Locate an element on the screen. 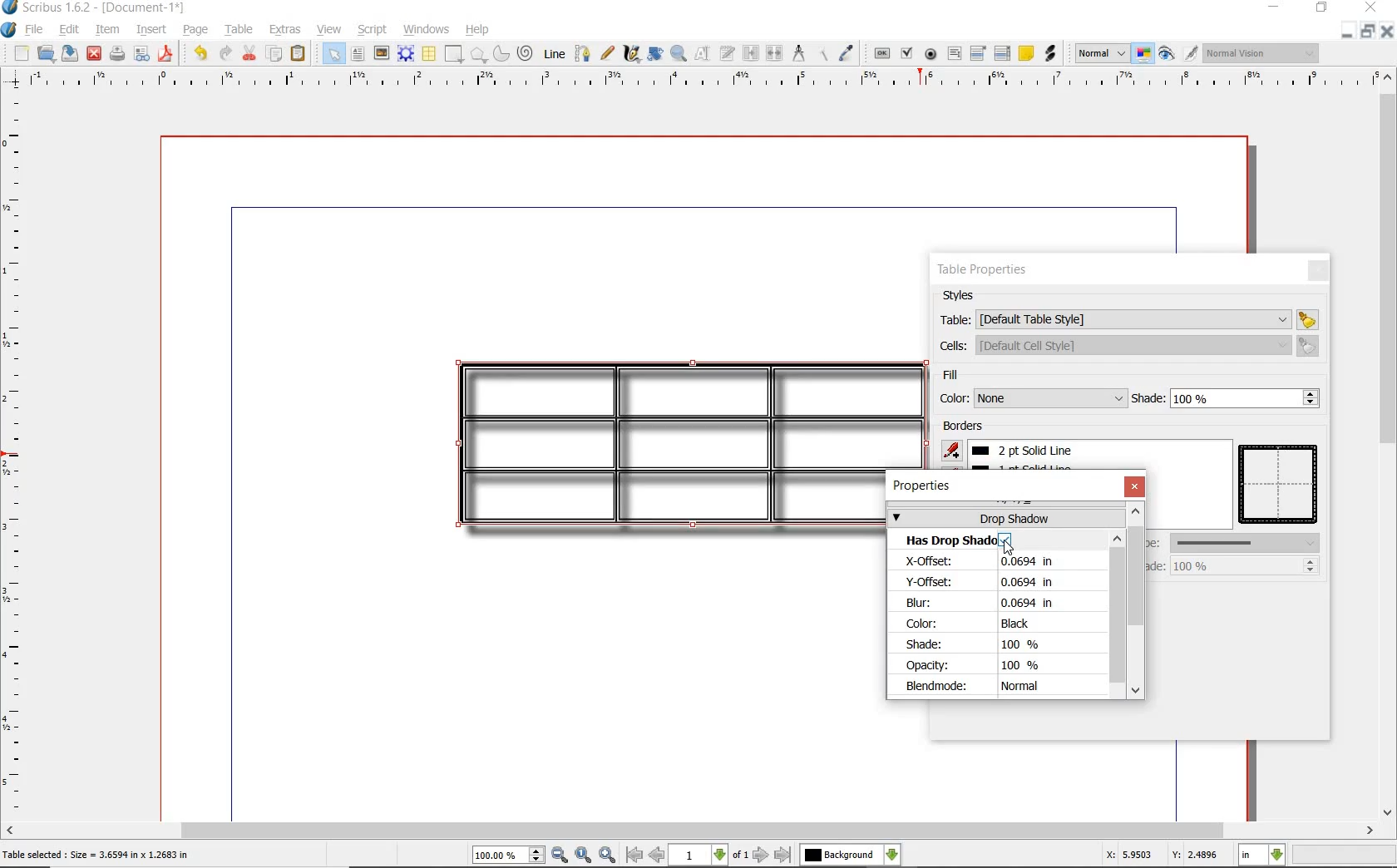  Blur: 0.0694 in is located at coordinates (980, 603).